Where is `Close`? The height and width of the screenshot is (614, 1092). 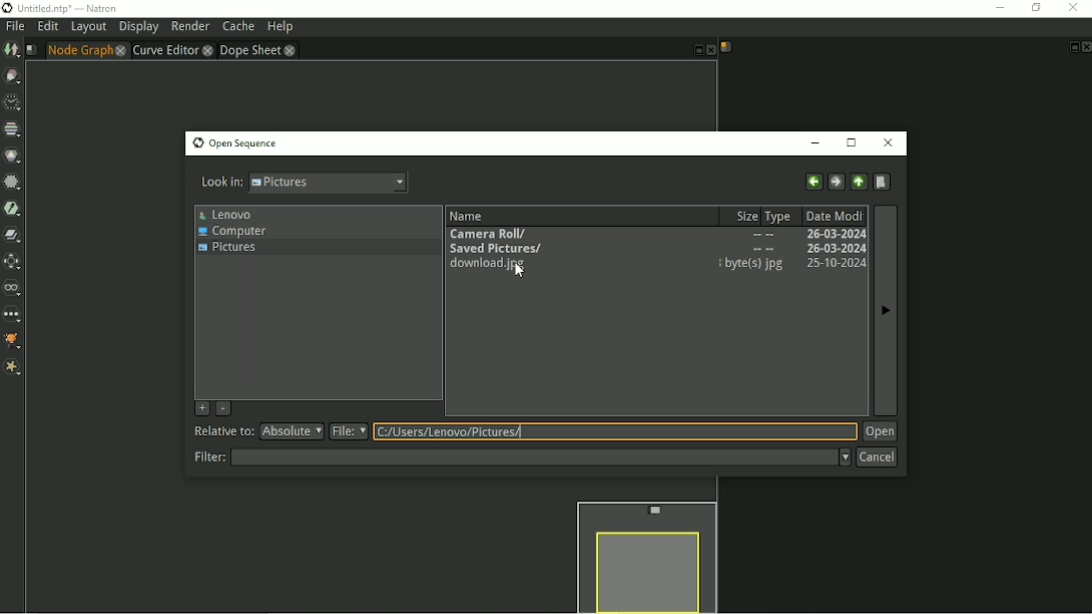 Close is located at coordinates (890, 142).